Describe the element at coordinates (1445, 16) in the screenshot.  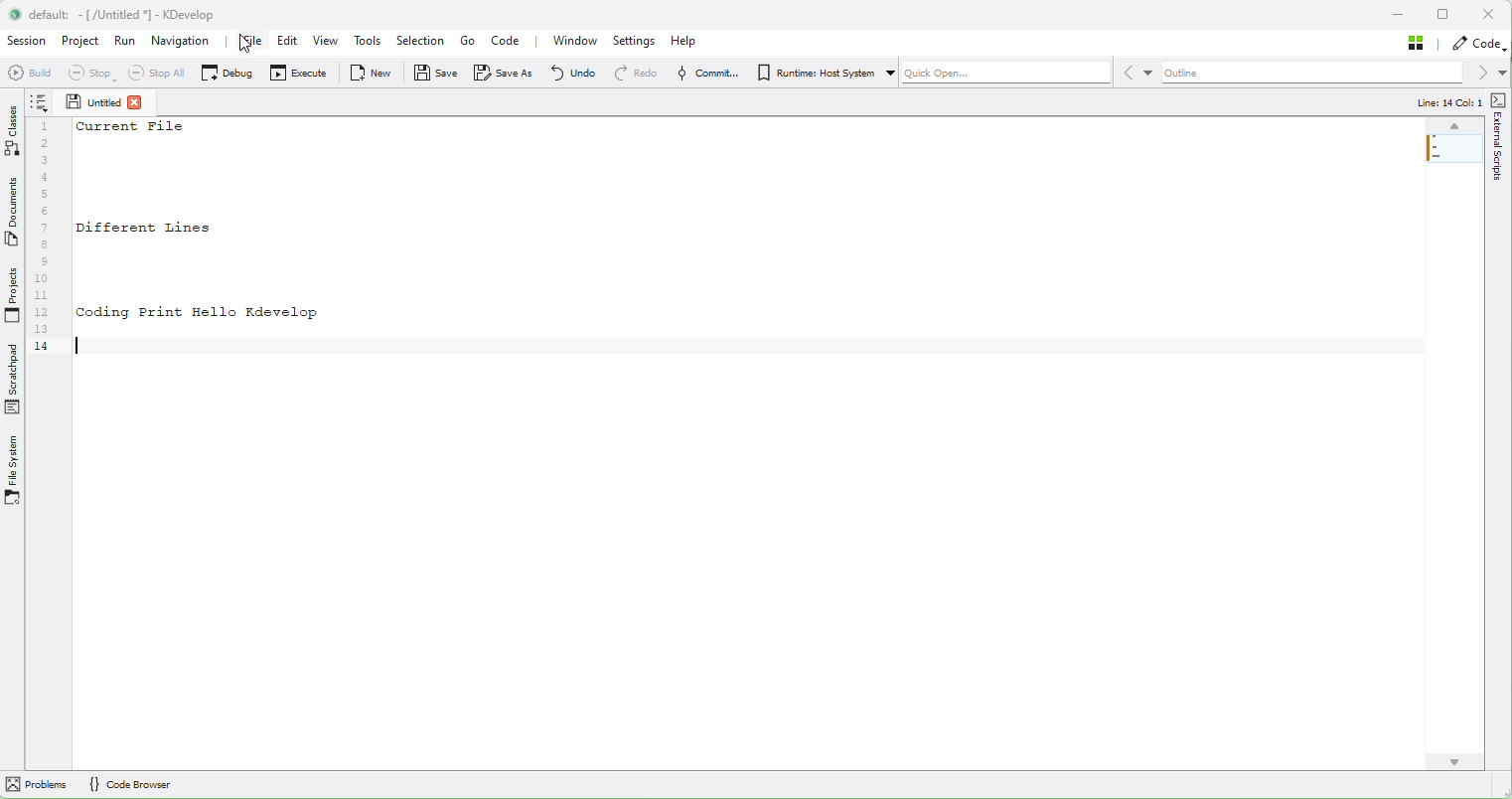
I see `Box` at that location.